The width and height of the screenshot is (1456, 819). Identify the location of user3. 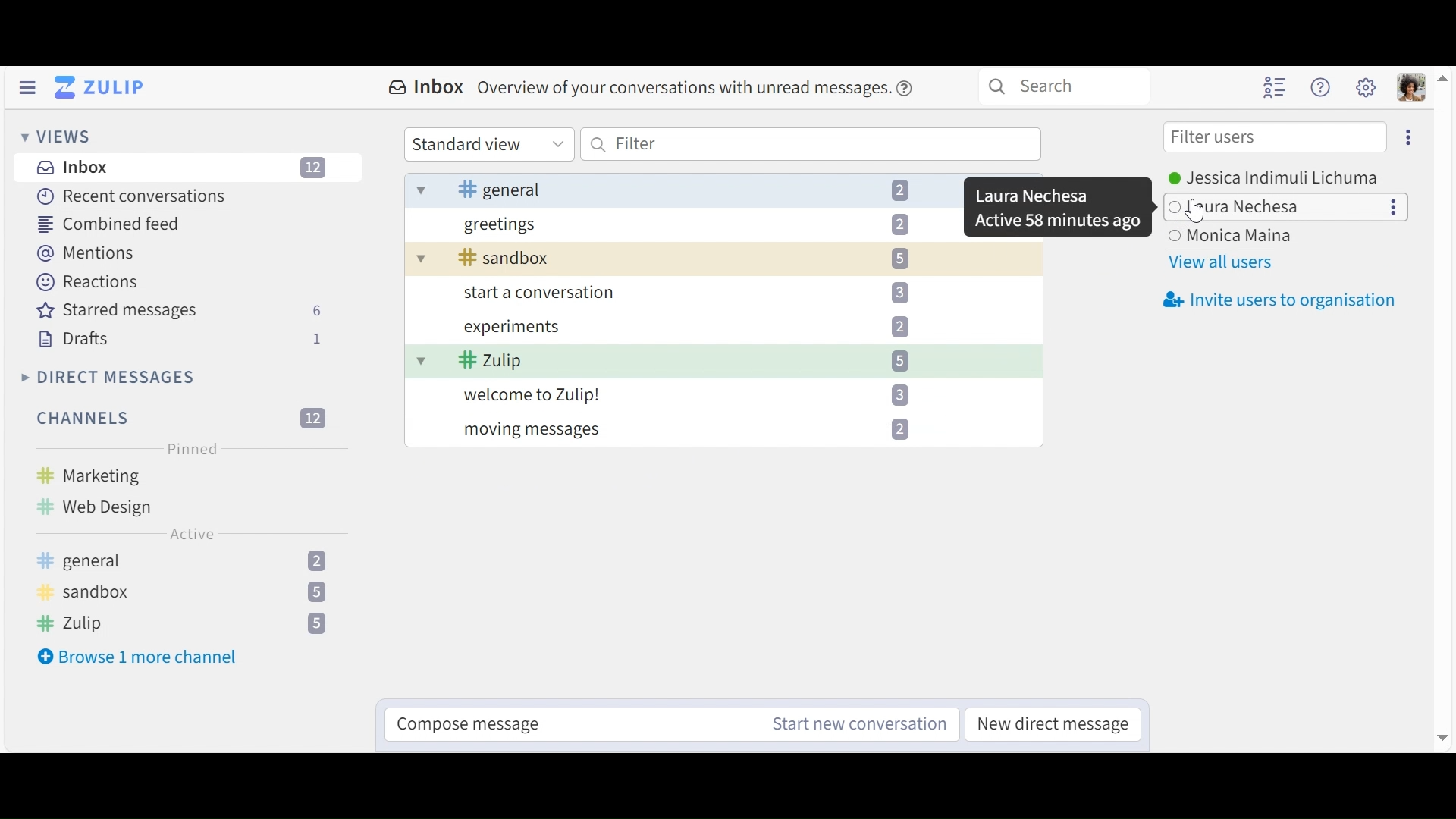
(1238, 235).